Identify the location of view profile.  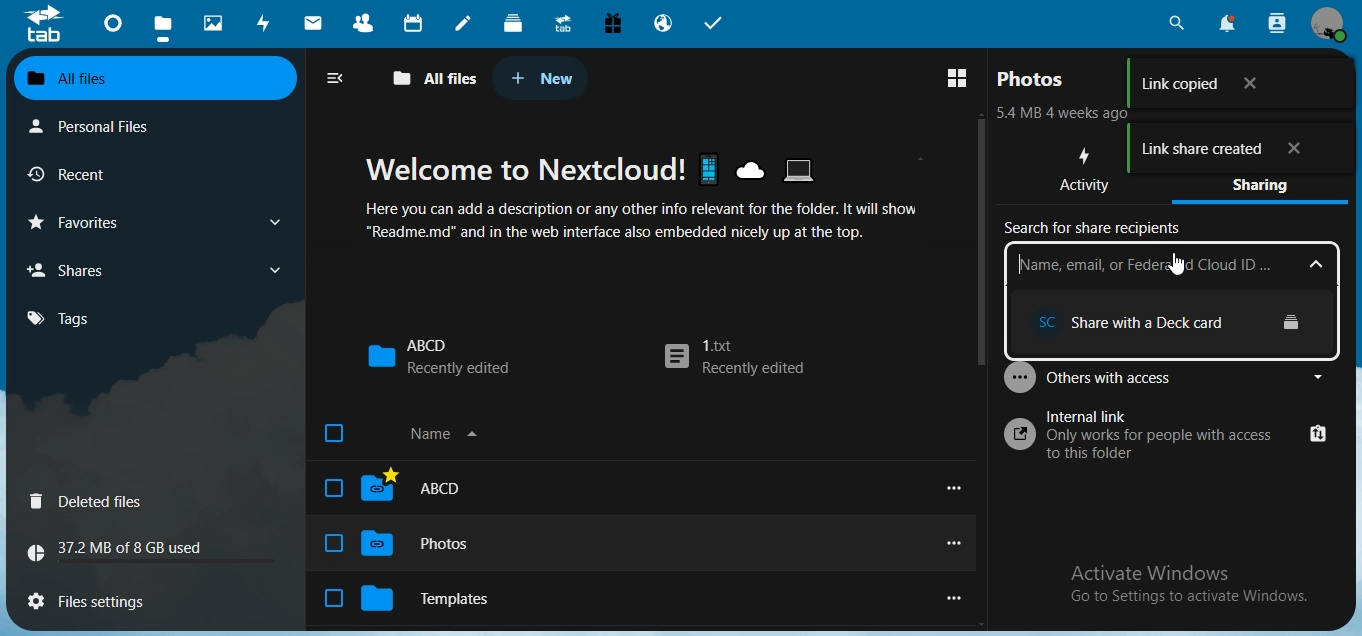
(1333, 26).